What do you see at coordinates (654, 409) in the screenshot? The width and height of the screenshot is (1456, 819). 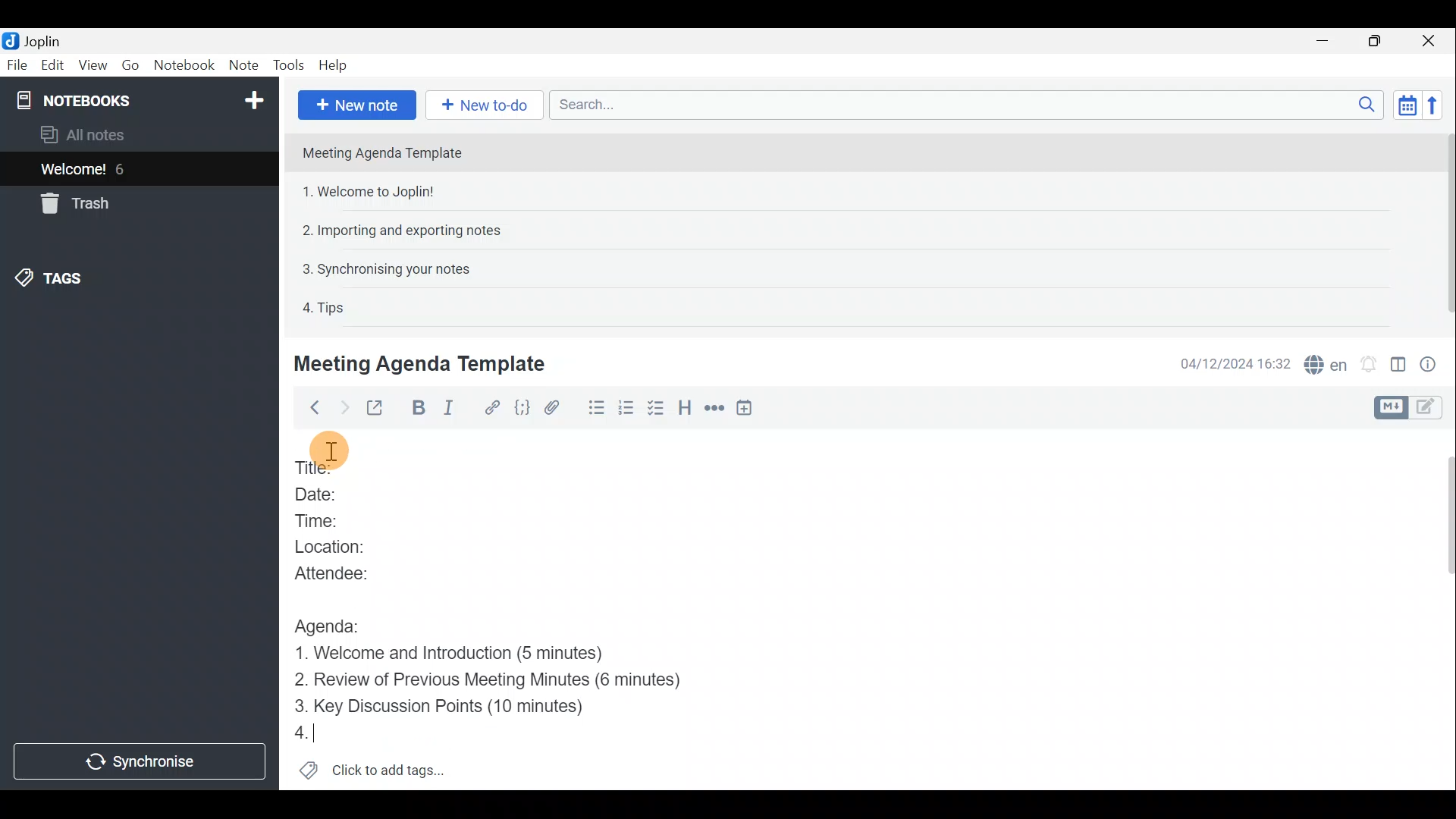 I see `Checkbox` at bounding box center [654, 409].